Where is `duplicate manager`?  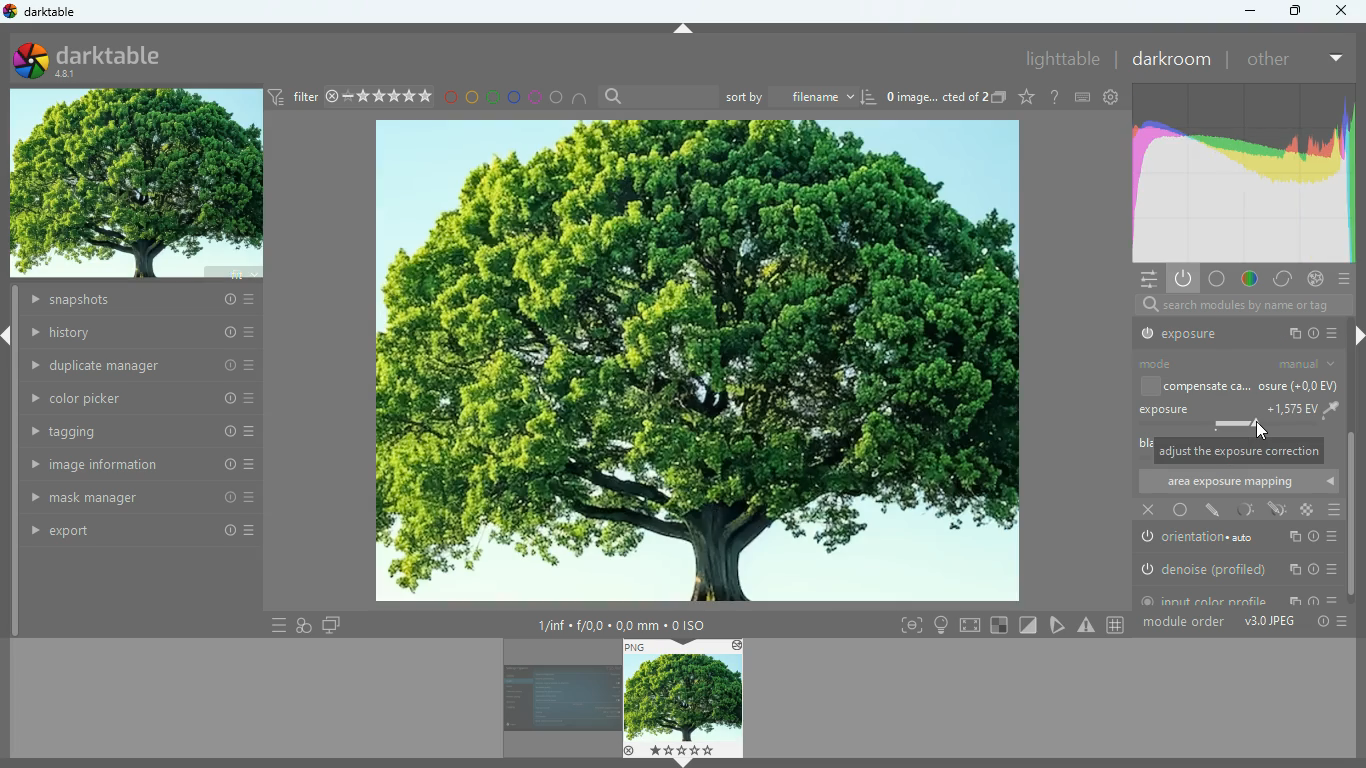 duplicate manager is located at coordinates (141, 366).